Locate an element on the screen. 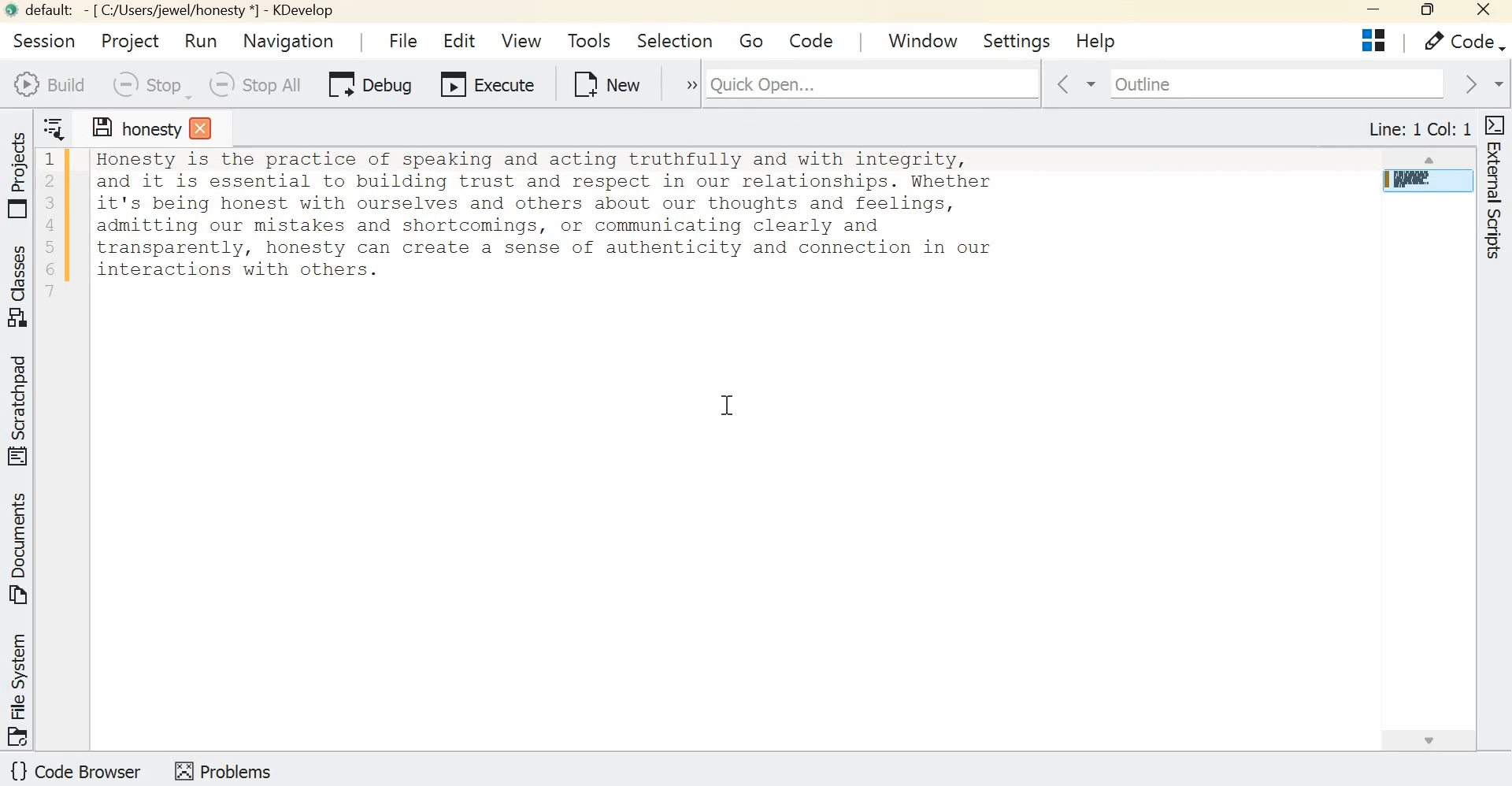 The height and width of the screenshot is (786, 1512). cursor is located at coordinates (727, 406).